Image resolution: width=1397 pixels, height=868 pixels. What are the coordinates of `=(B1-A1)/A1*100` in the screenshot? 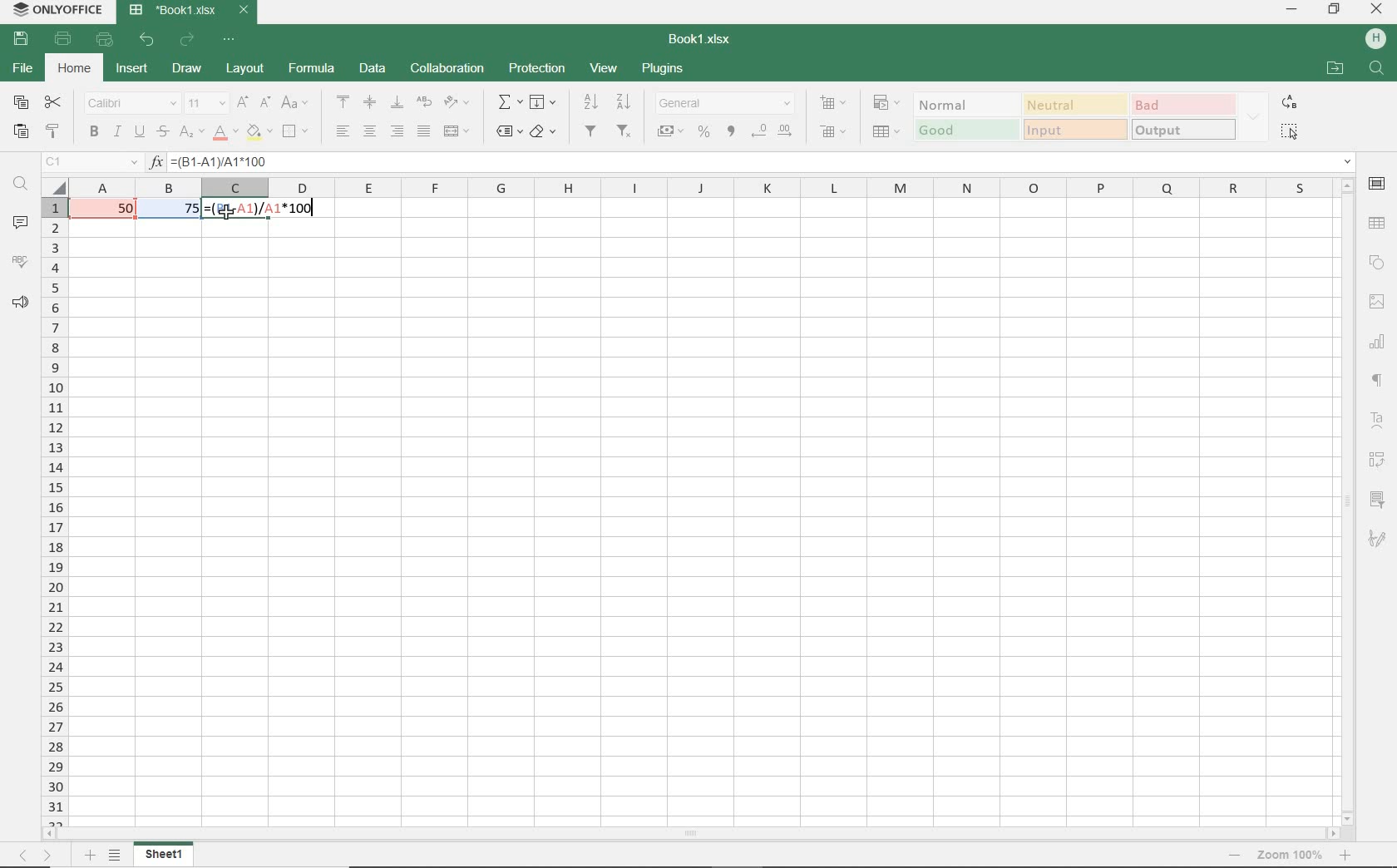 It's located at (763, 161).